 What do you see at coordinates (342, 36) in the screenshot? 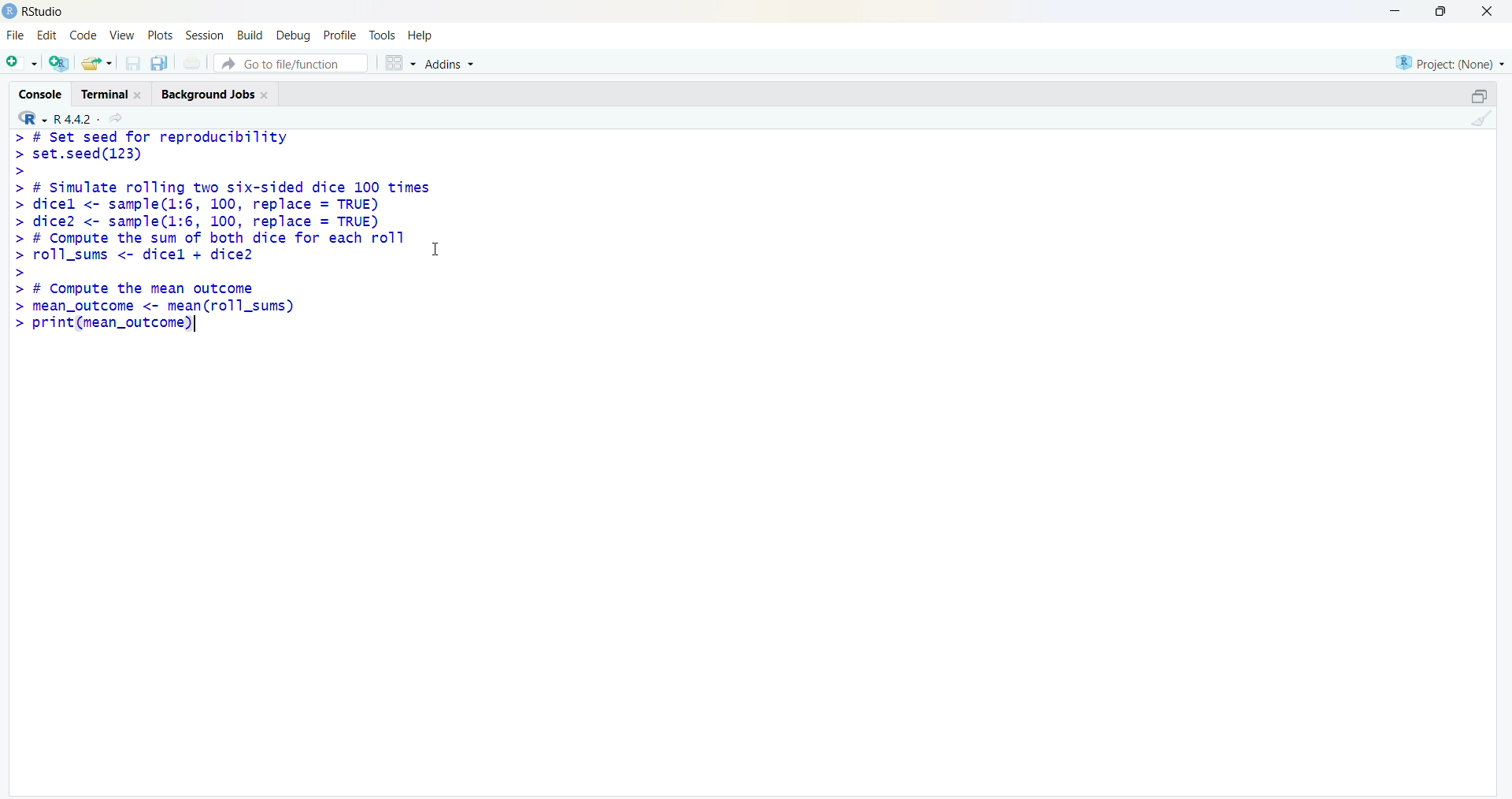
I see `profile` at bounding box center [342, 36].